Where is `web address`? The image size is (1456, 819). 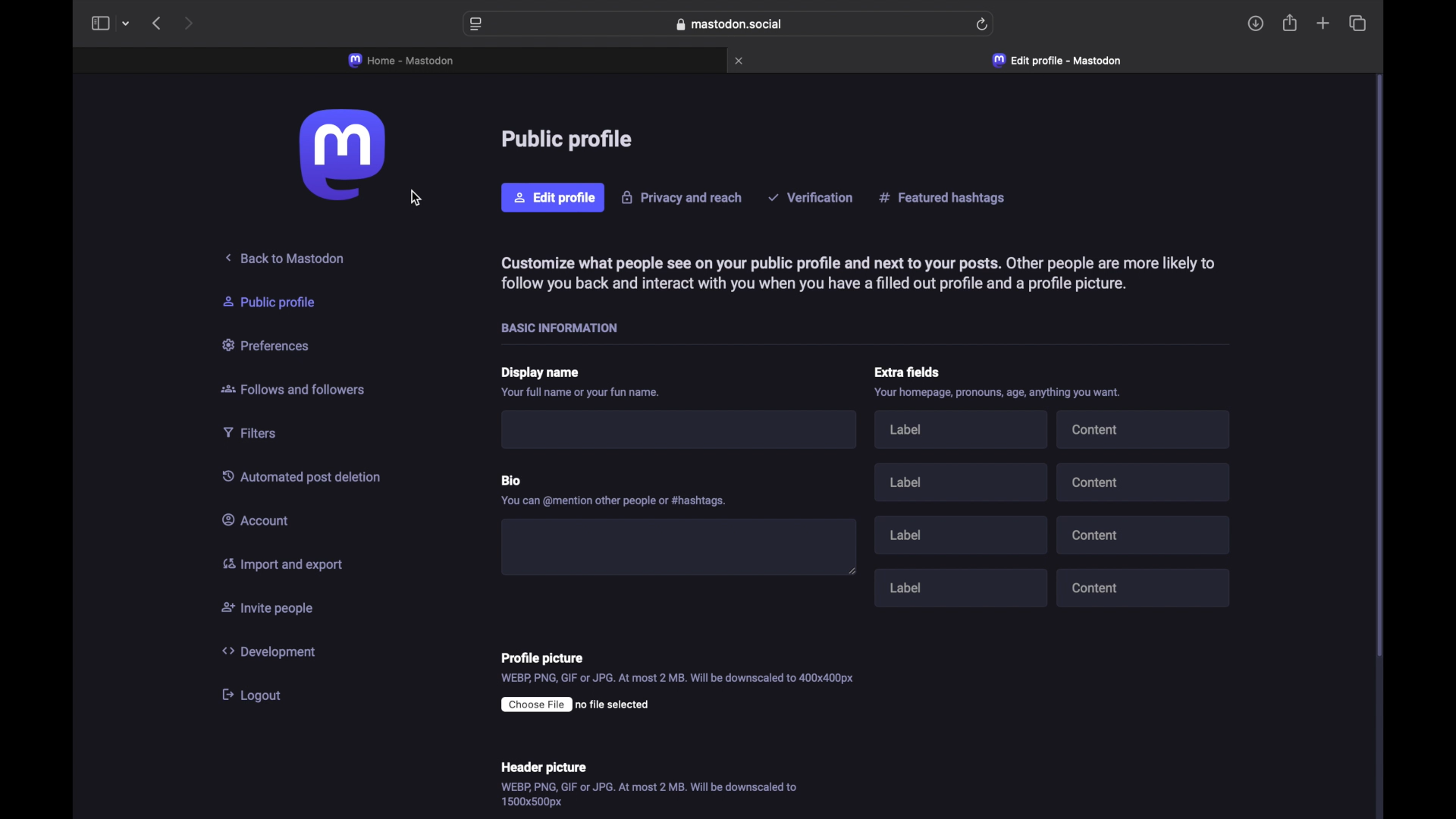 web address is located at coordinates (729, 24).